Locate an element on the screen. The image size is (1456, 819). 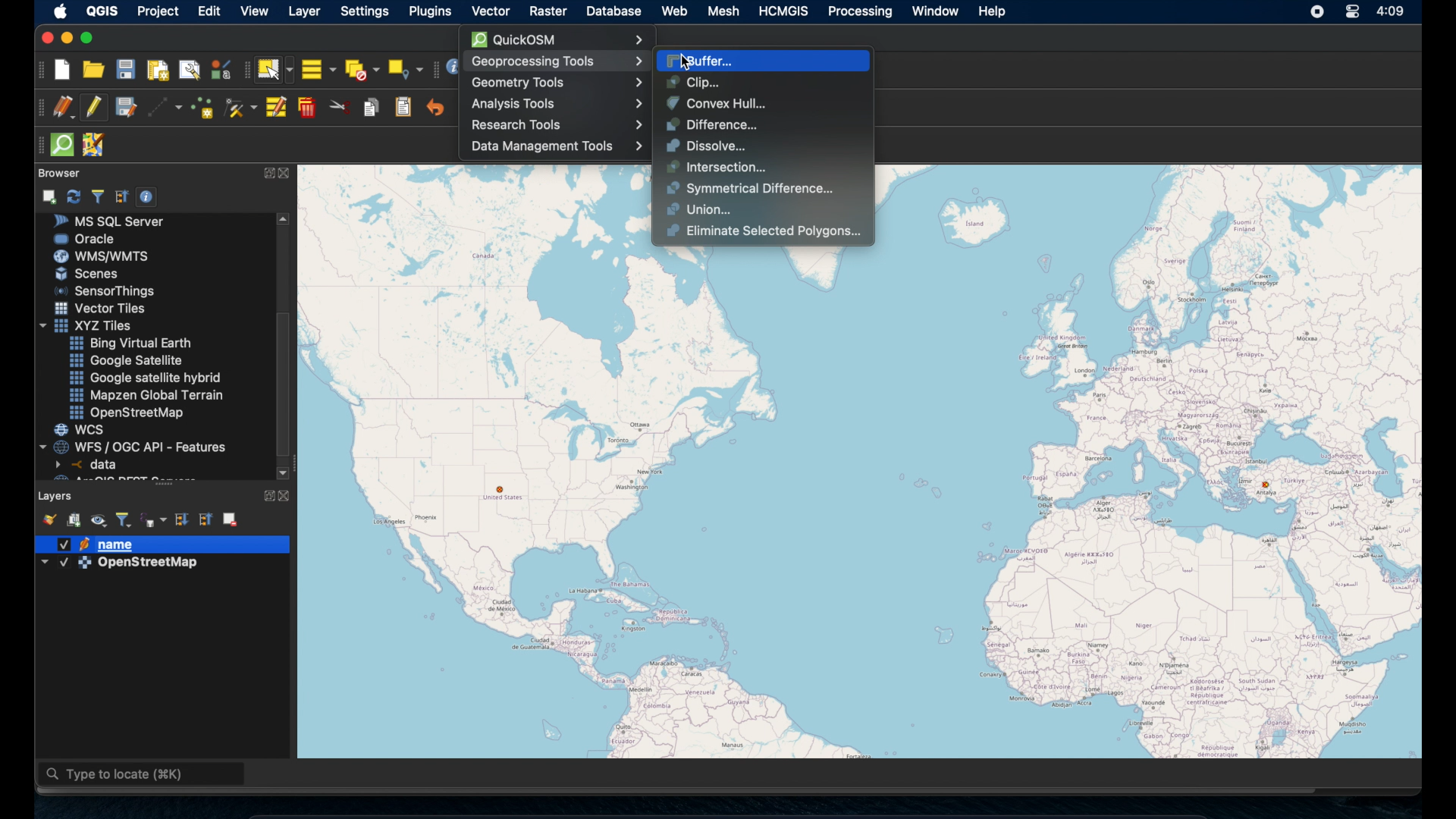
hidden text is located at coordinates (112, 478).